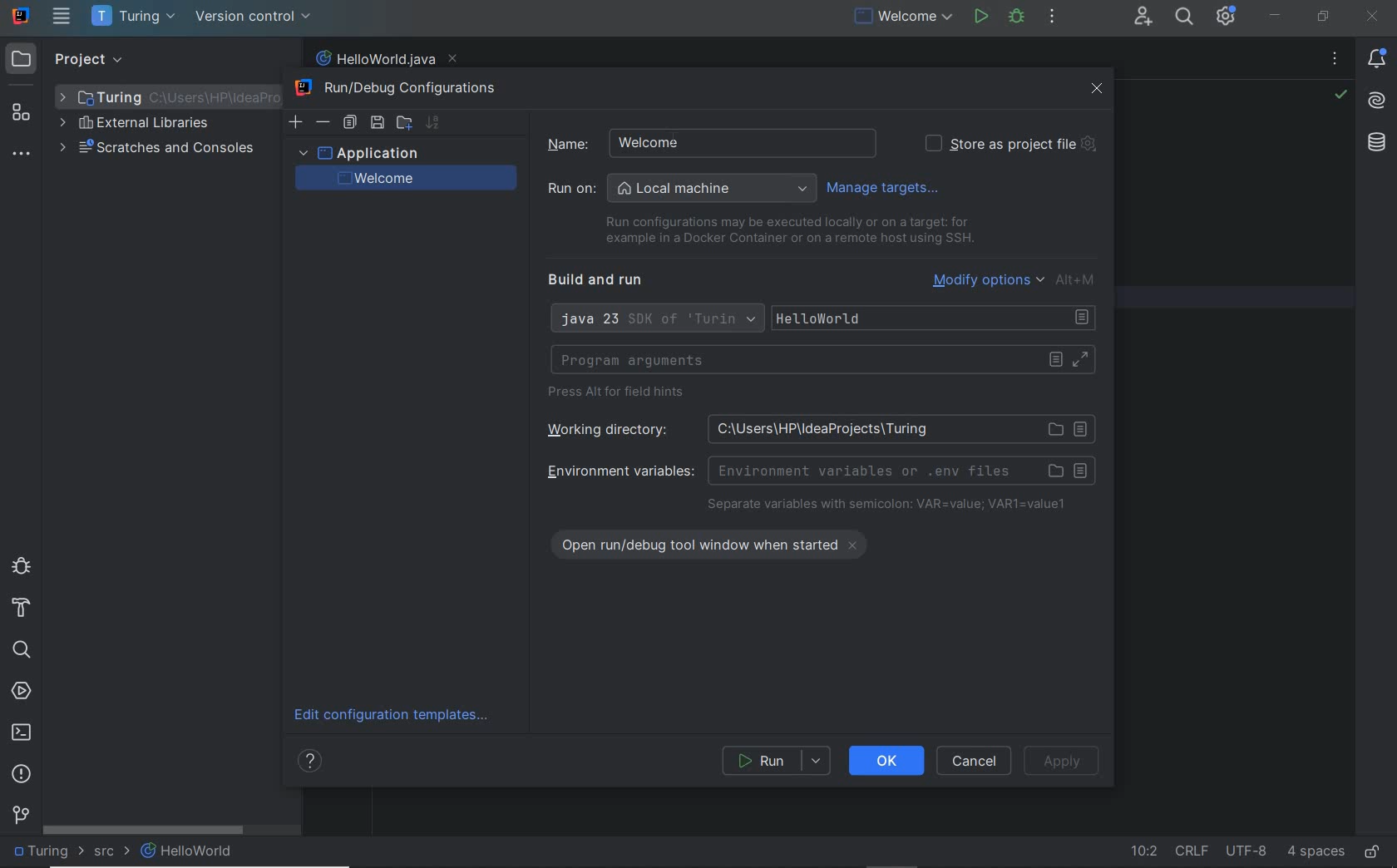  What do you see at coordinates (887, 506) in the screenshot?
I see `separate variables` at bounding box center [887, 506].